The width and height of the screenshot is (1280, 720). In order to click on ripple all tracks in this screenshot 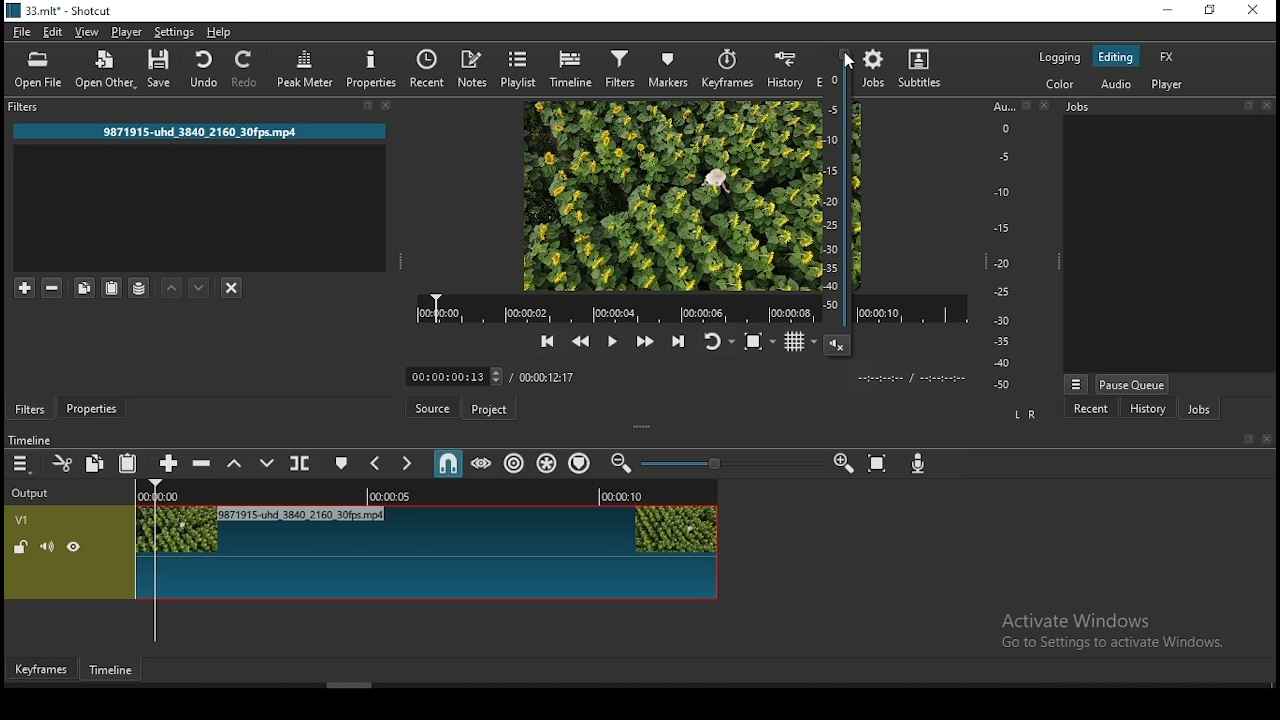, I will do `click(546, 463)`.